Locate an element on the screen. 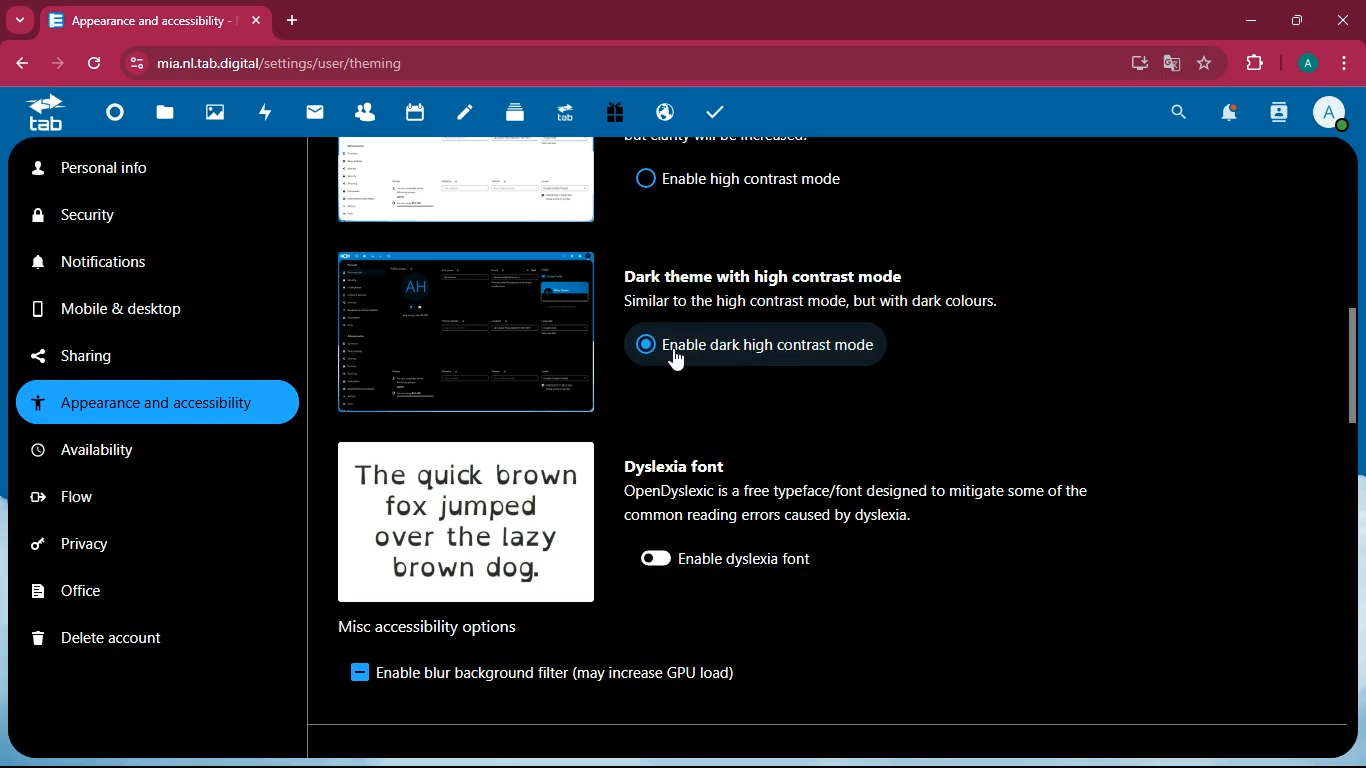  security is located at coordinates (136, 216).